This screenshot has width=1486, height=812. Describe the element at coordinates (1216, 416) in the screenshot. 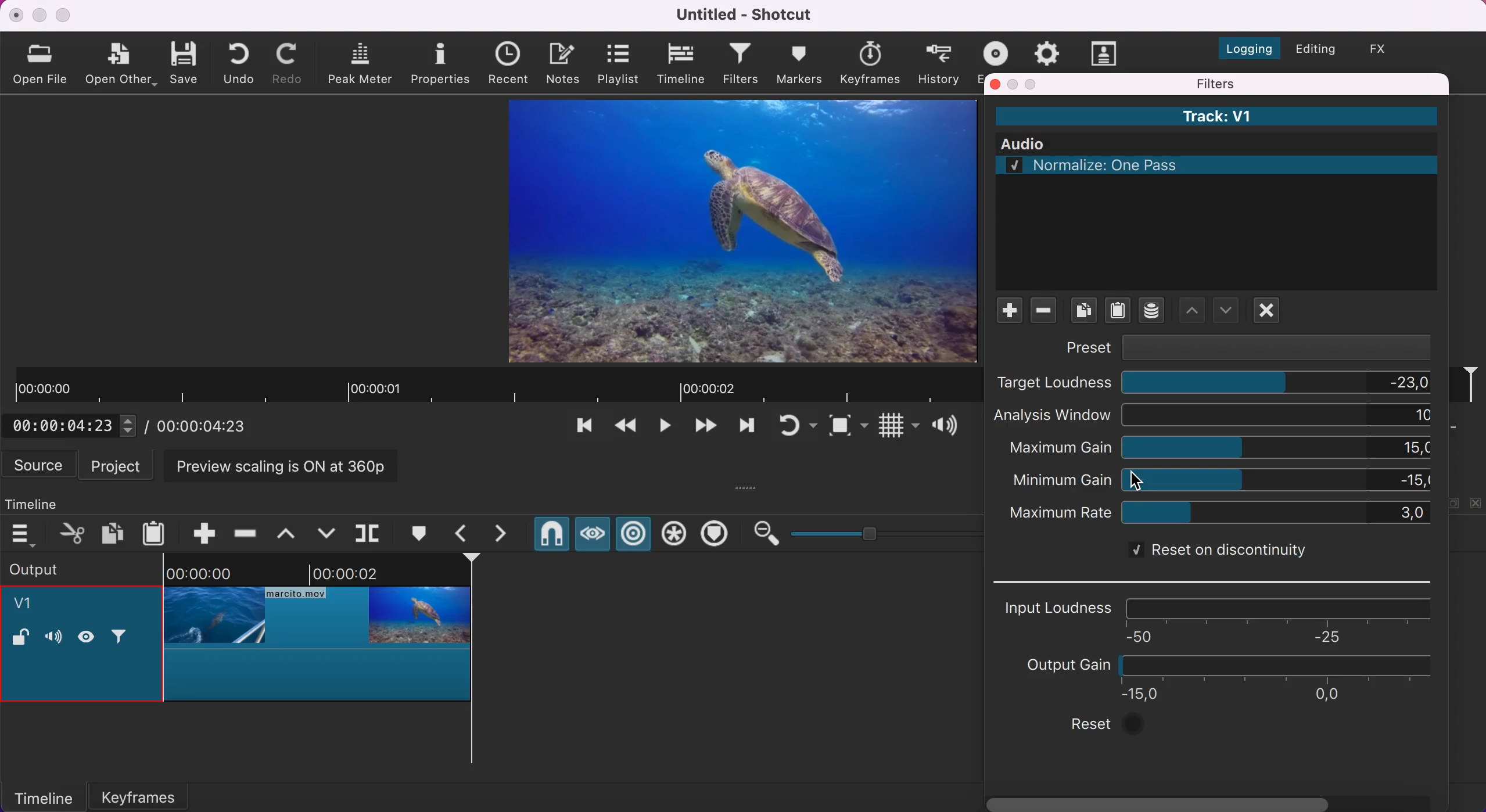

I see `analysis window` at that location.